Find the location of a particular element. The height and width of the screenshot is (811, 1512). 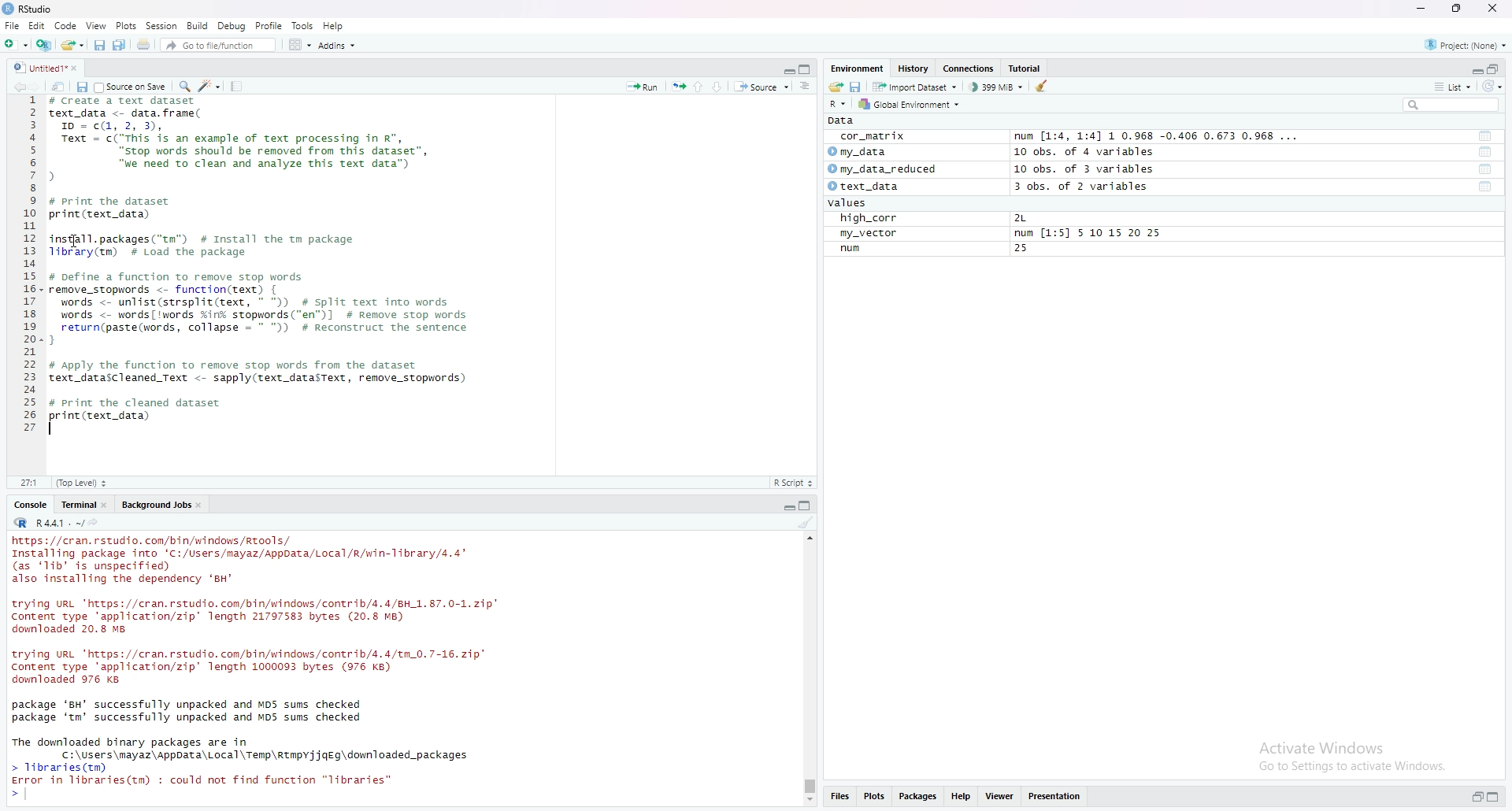

minimize is located at coordinates (1420, 8).